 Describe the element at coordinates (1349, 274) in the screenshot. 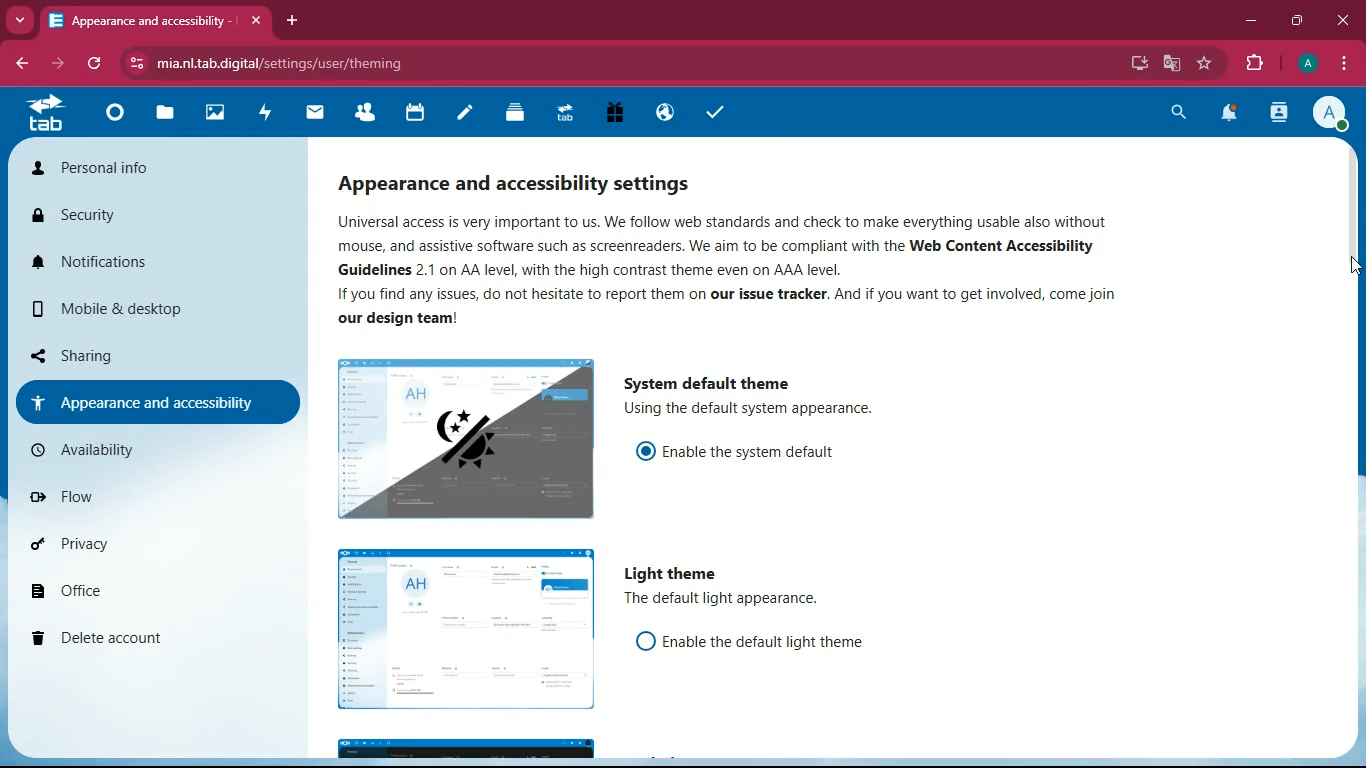

I see `Cursor` at that location.